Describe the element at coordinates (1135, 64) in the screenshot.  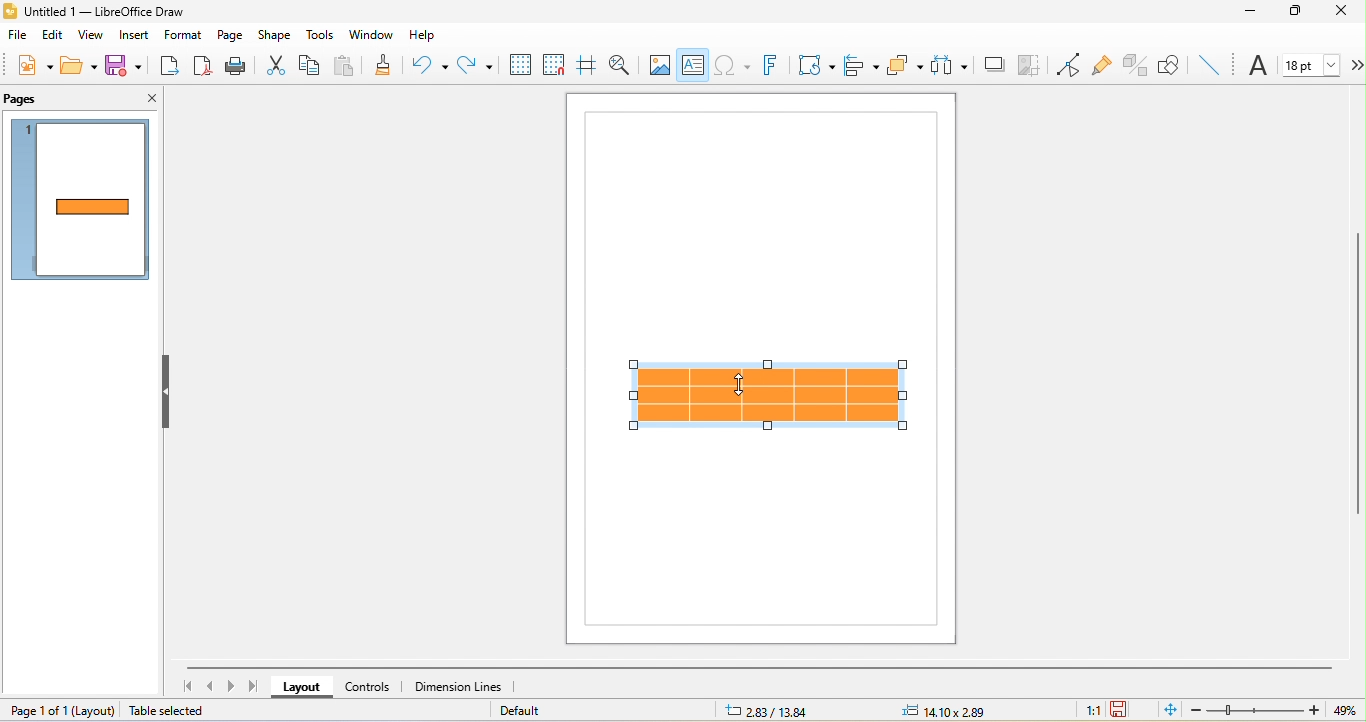
I see `toggle extrusion` at that location.